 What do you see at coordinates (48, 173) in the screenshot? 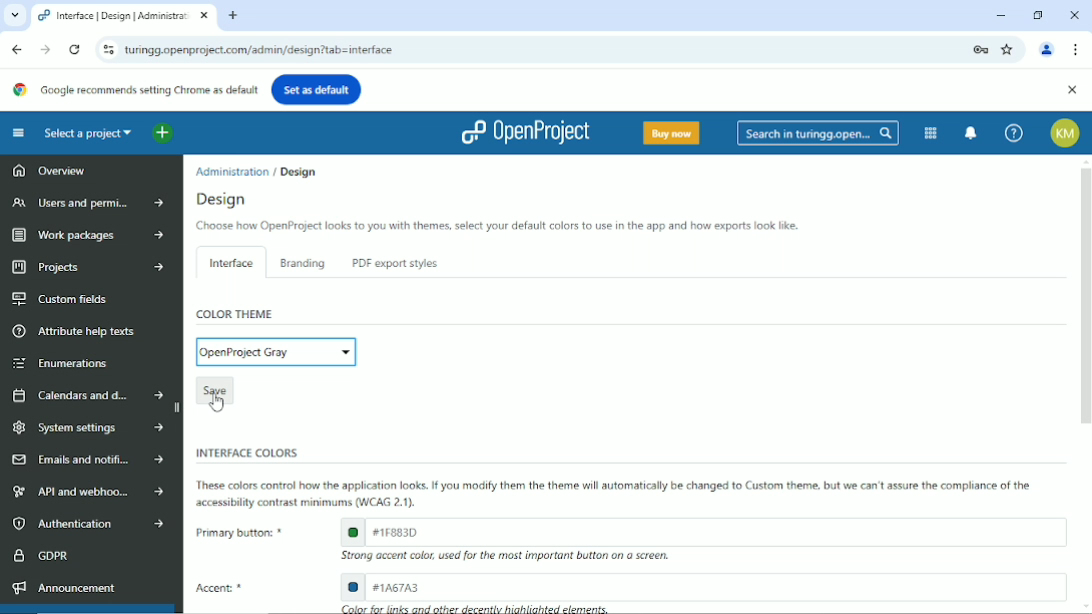
I see `Overview` at bounding box center [48, 173].